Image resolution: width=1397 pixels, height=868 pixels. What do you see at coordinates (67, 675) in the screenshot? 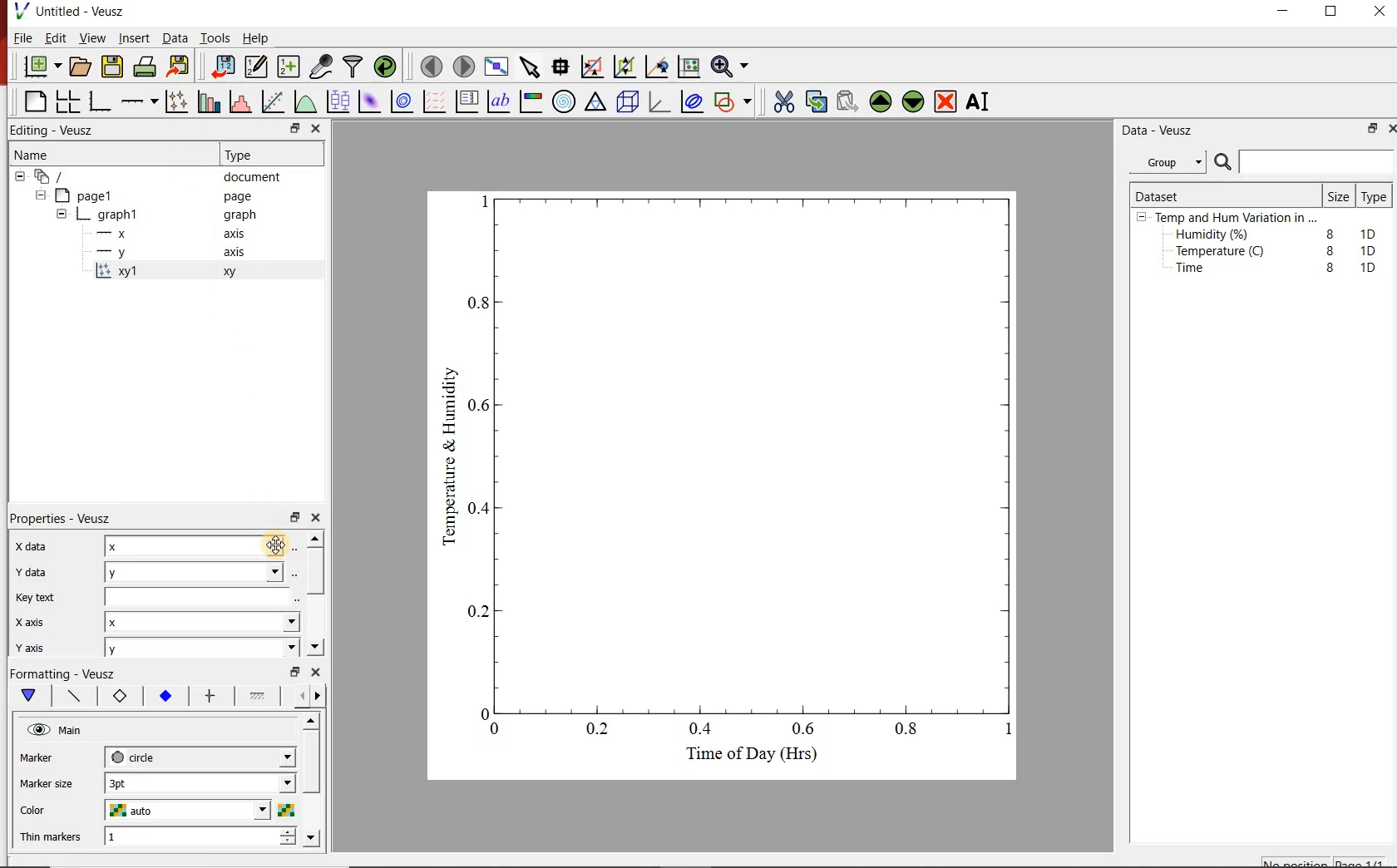
I see `Formatting - Veusz` at bounding box center [67, 675].